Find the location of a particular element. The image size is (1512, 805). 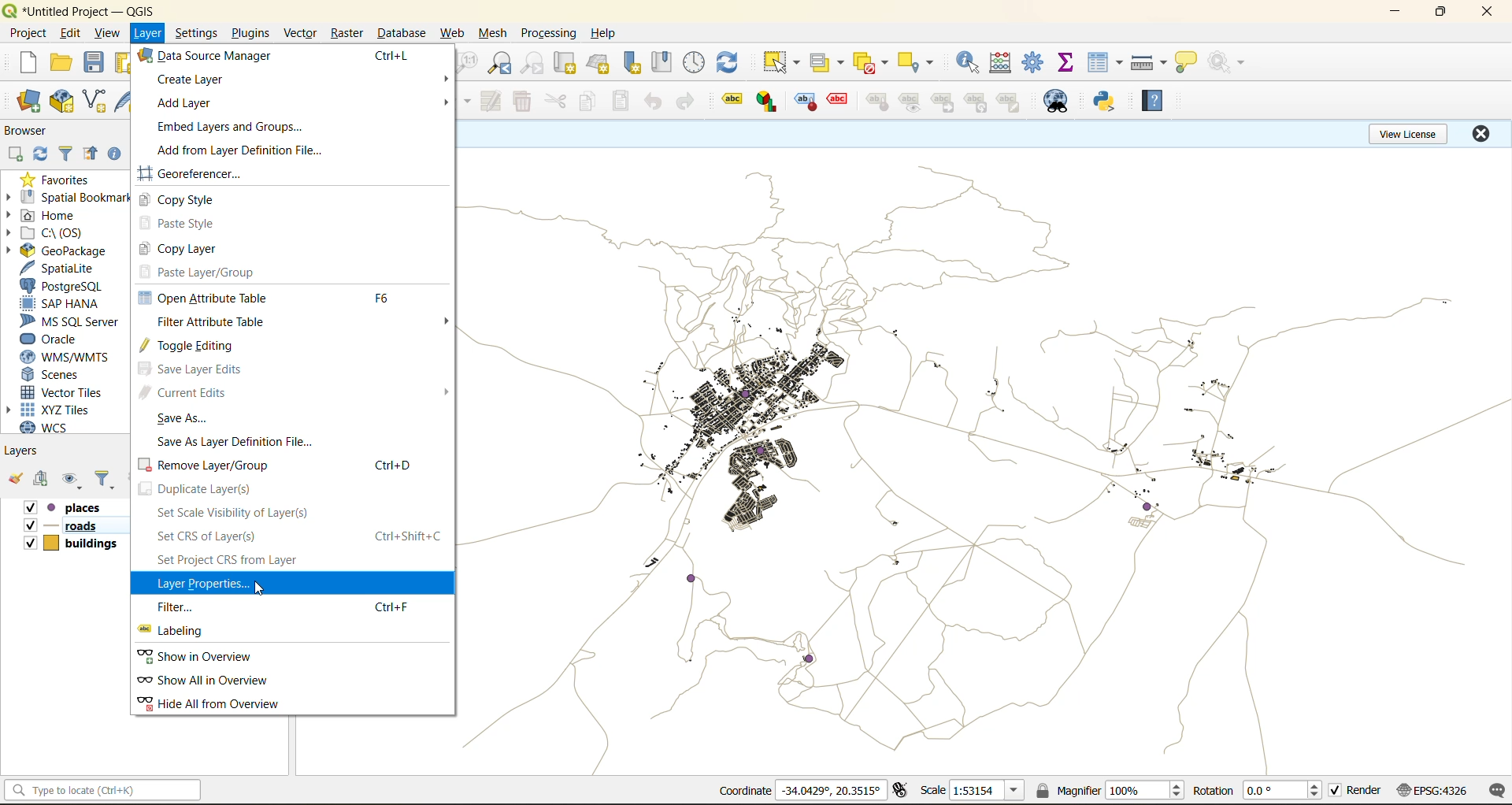

label tool 3 is located at coordinates (805, 102).